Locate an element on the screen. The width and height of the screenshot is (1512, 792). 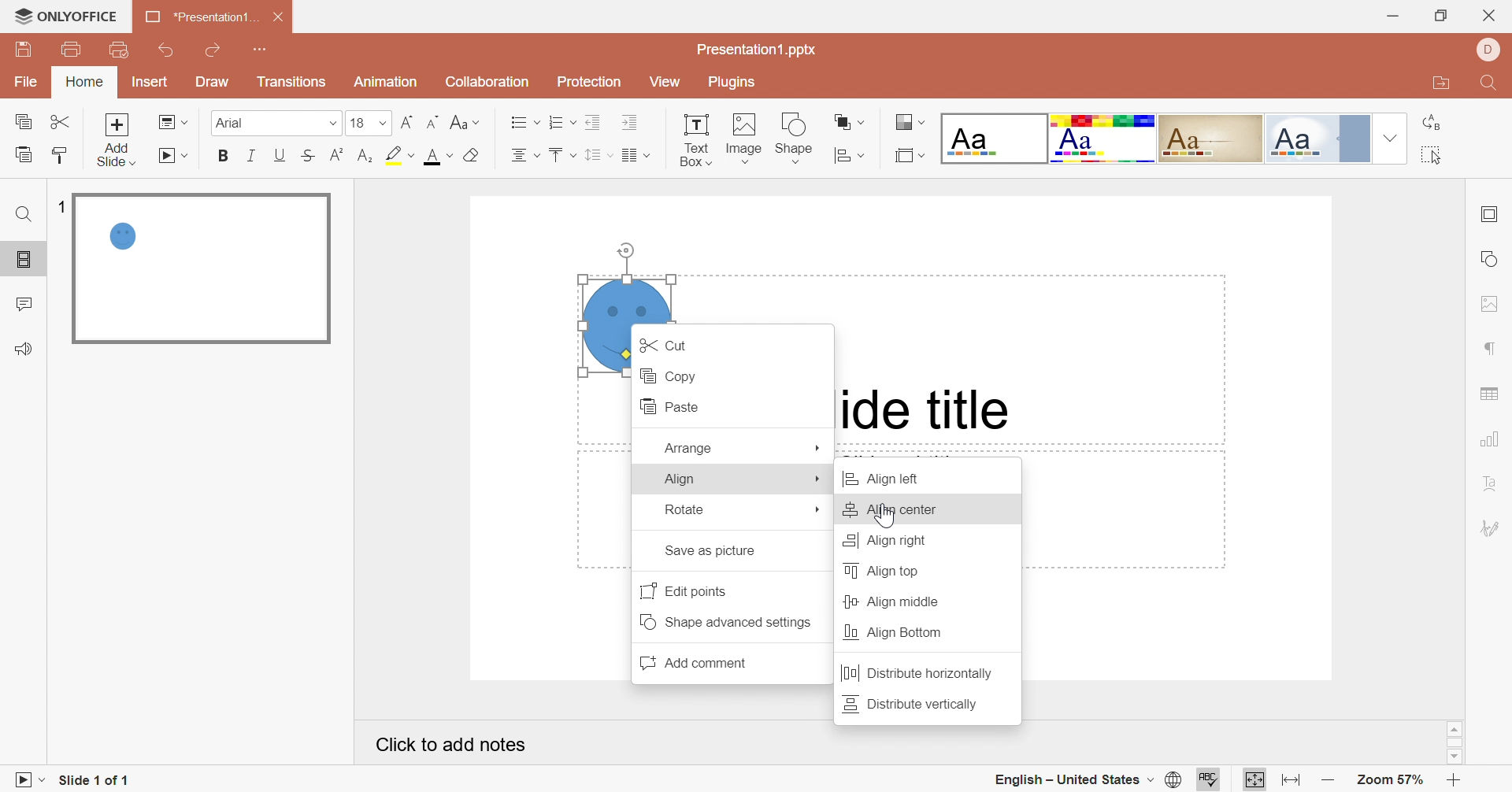
Drop Down is located at coordinates (384, 124).